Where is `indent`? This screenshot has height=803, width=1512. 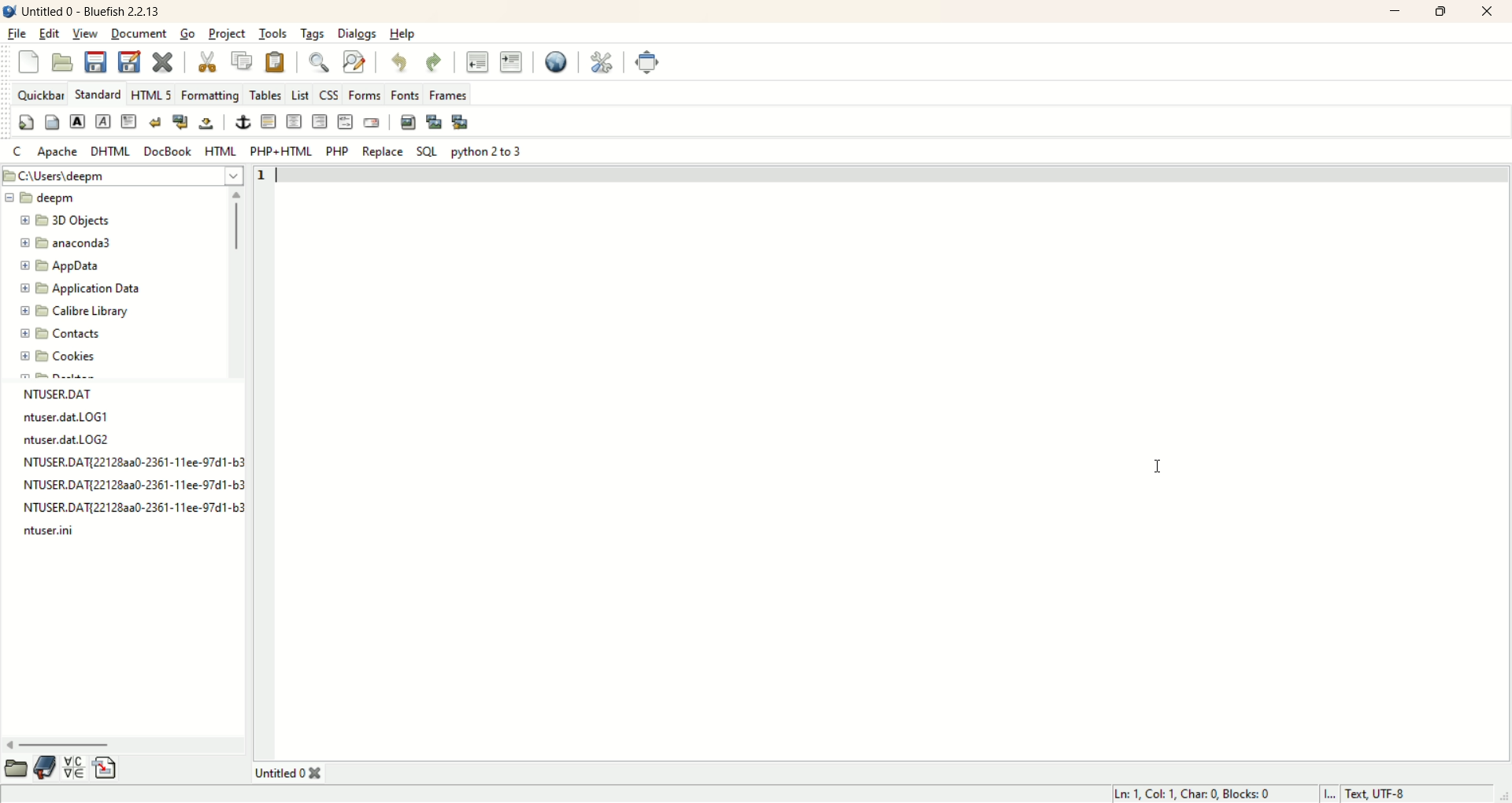 indent is located at coordinates (511, 60).